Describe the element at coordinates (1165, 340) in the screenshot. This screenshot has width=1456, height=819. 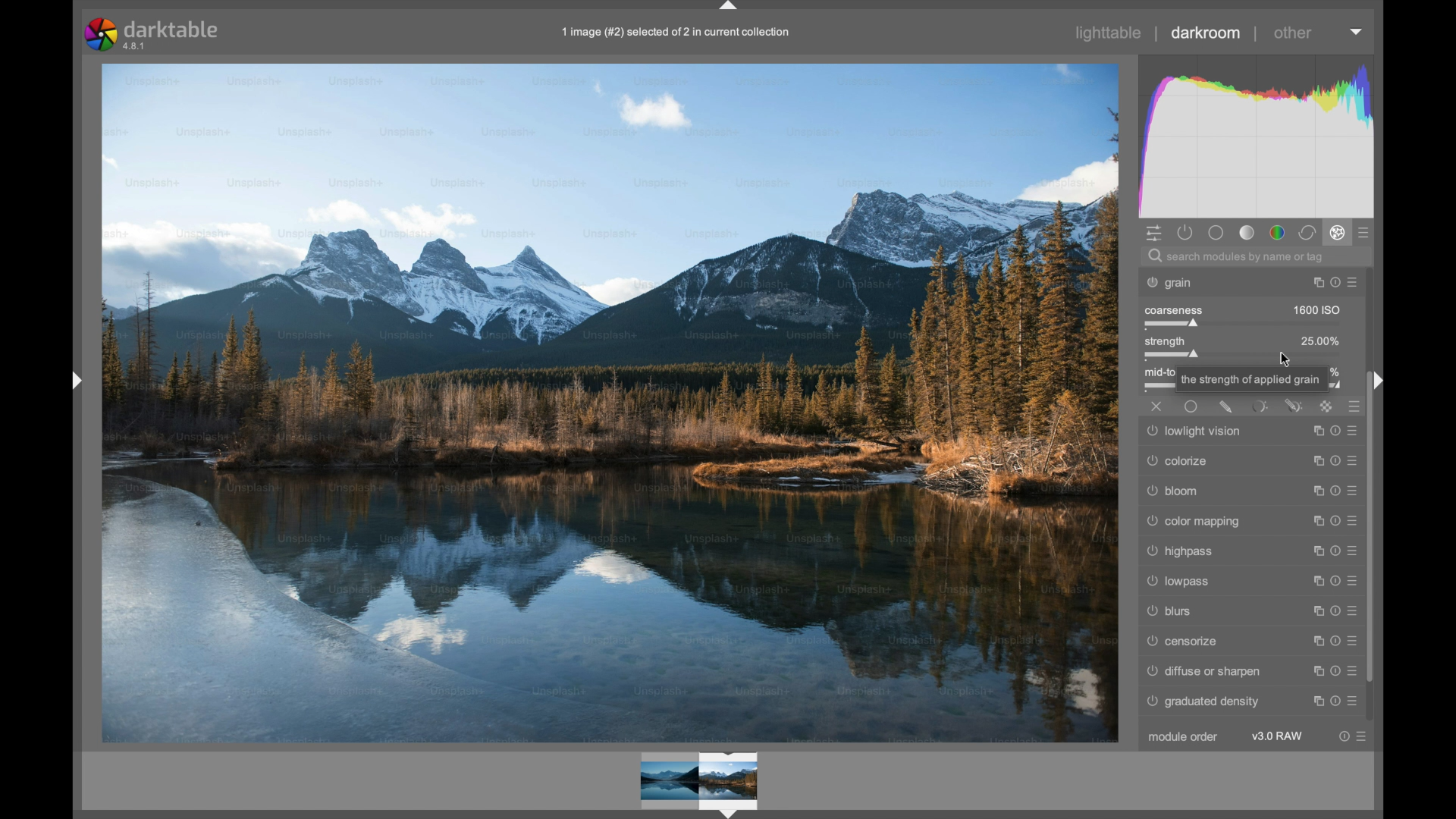
I see `strength` at that location.